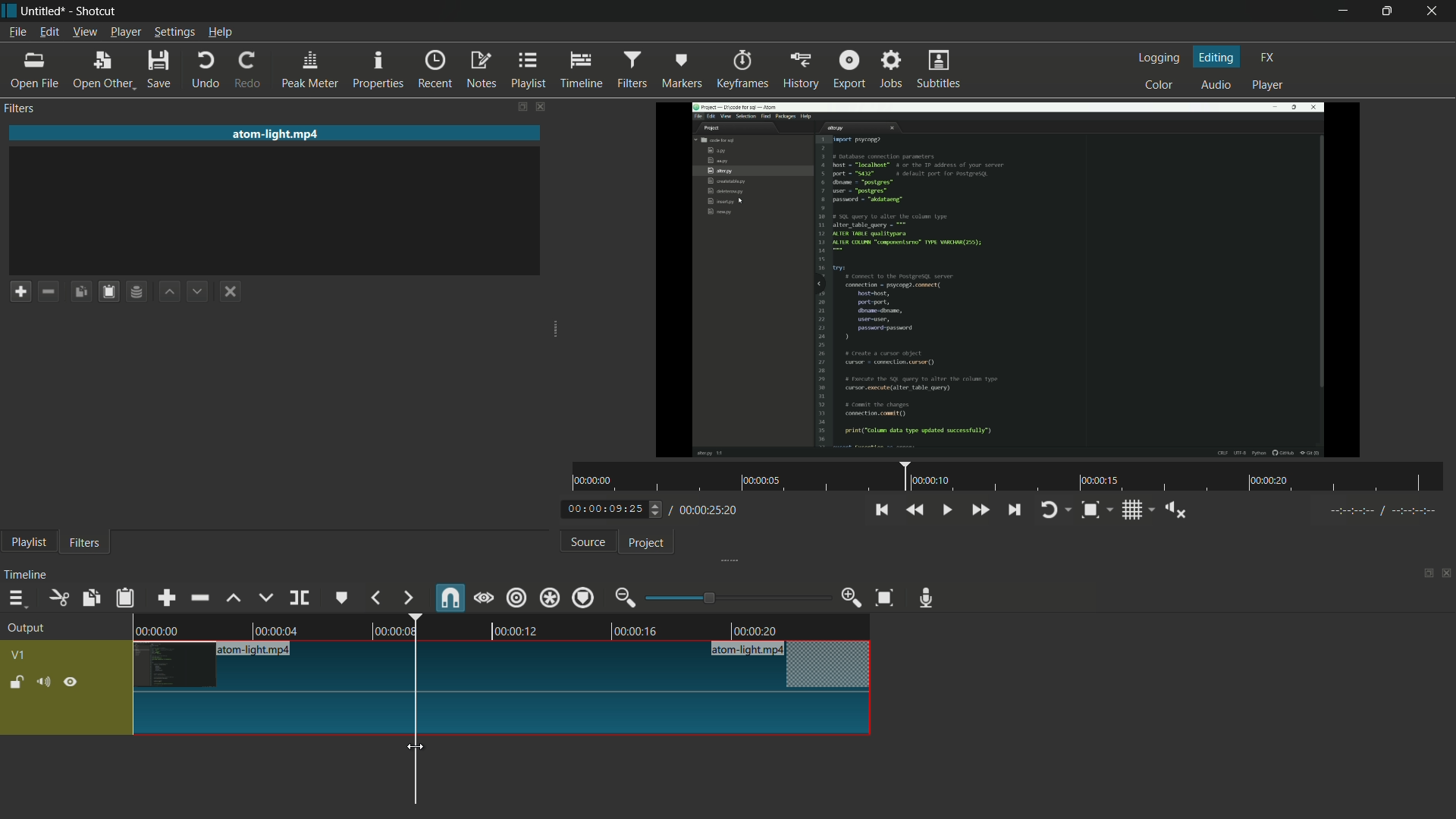 The width and height of the screenshot is (1456, 819). Describe the element at coordinates (549, 597) in the screenshot. I see `ripple all tracks` at that location.